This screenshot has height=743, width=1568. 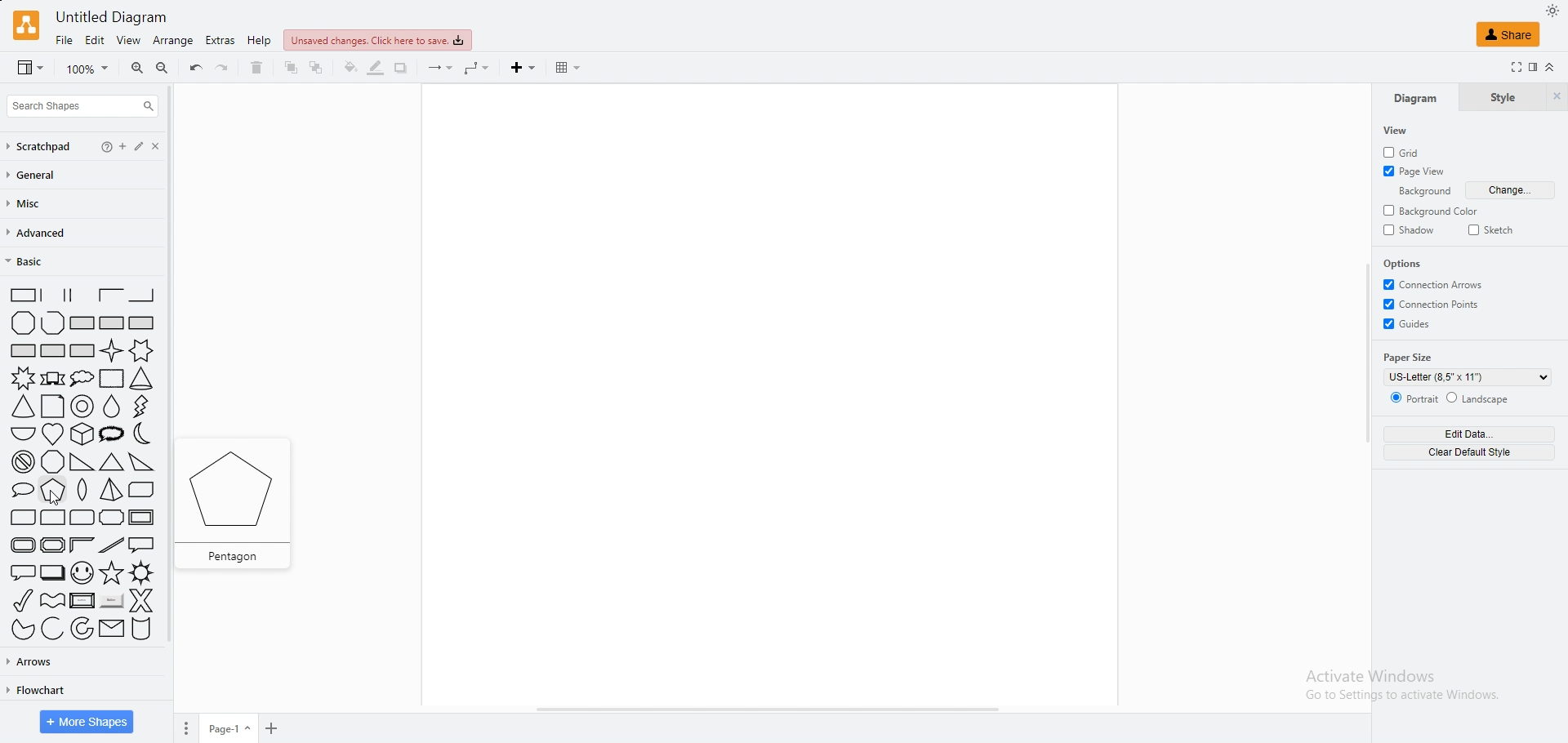 I want to click on arc, so click(x=52, y=629).